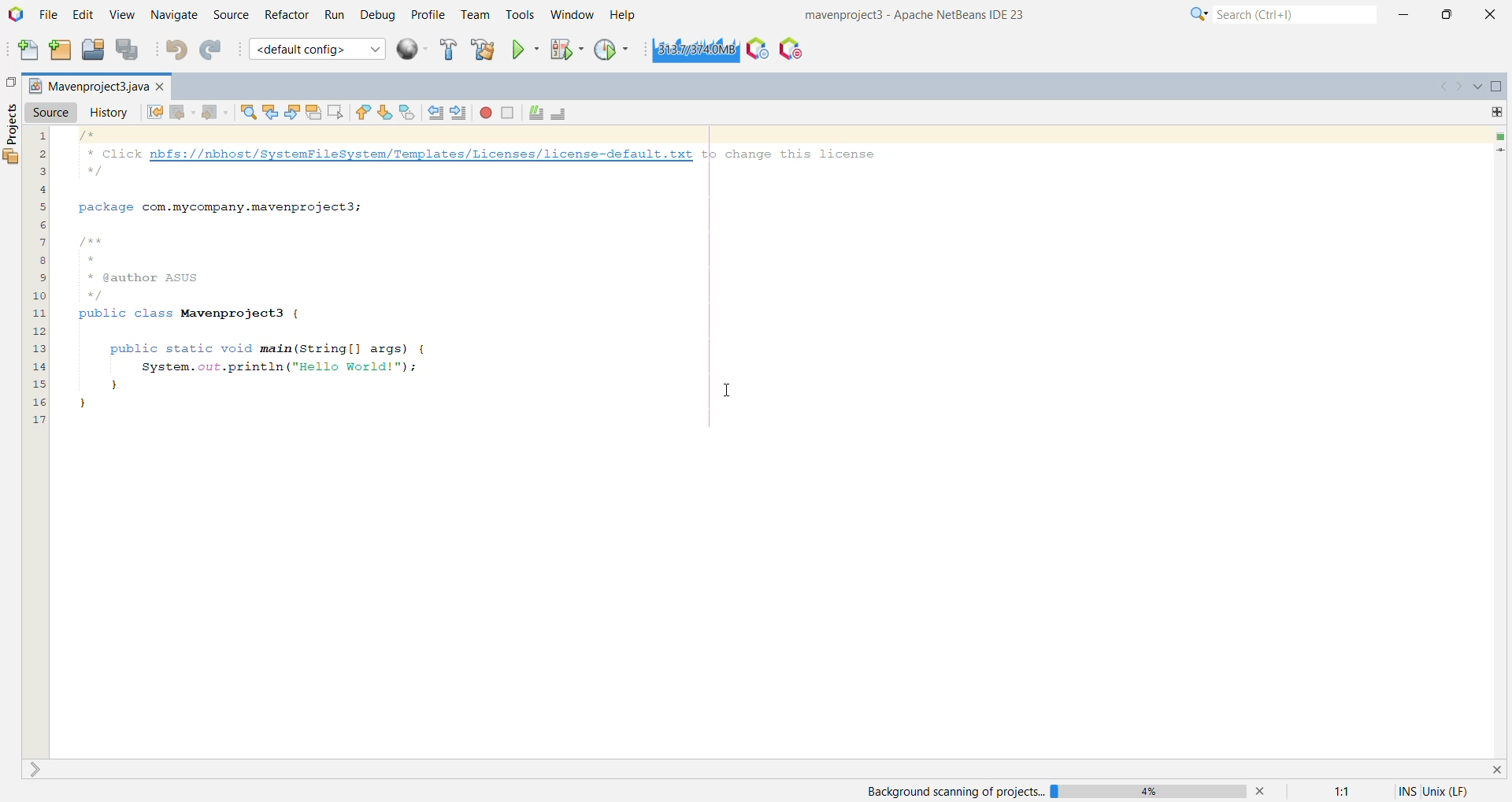  What do you see at coordinates (520, 16) in the screenshot?
I see `Tools` at bounding box center [520, 16].